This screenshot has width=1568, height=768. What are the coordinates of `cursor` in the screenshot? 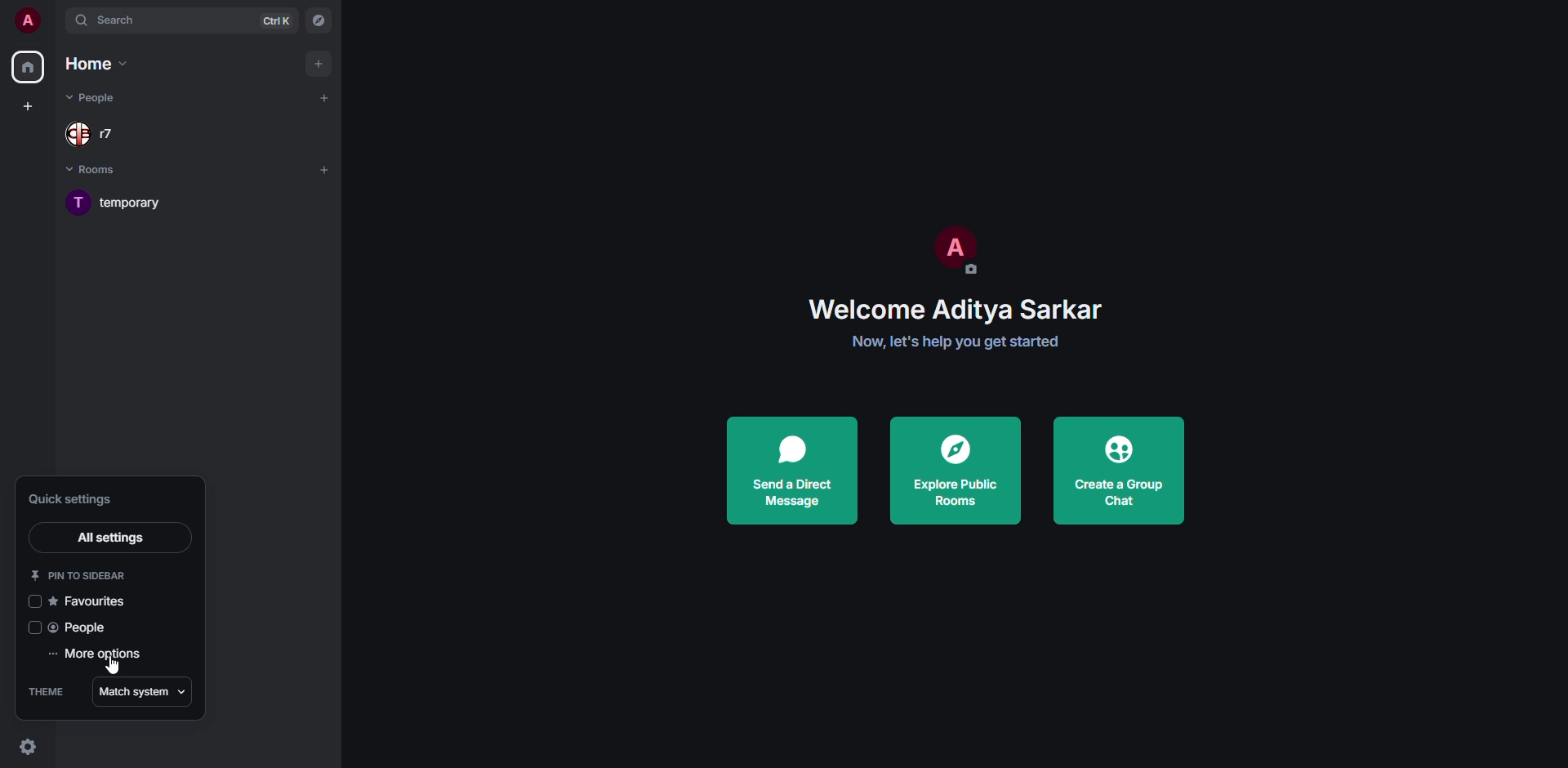 It's located at (114, 668).